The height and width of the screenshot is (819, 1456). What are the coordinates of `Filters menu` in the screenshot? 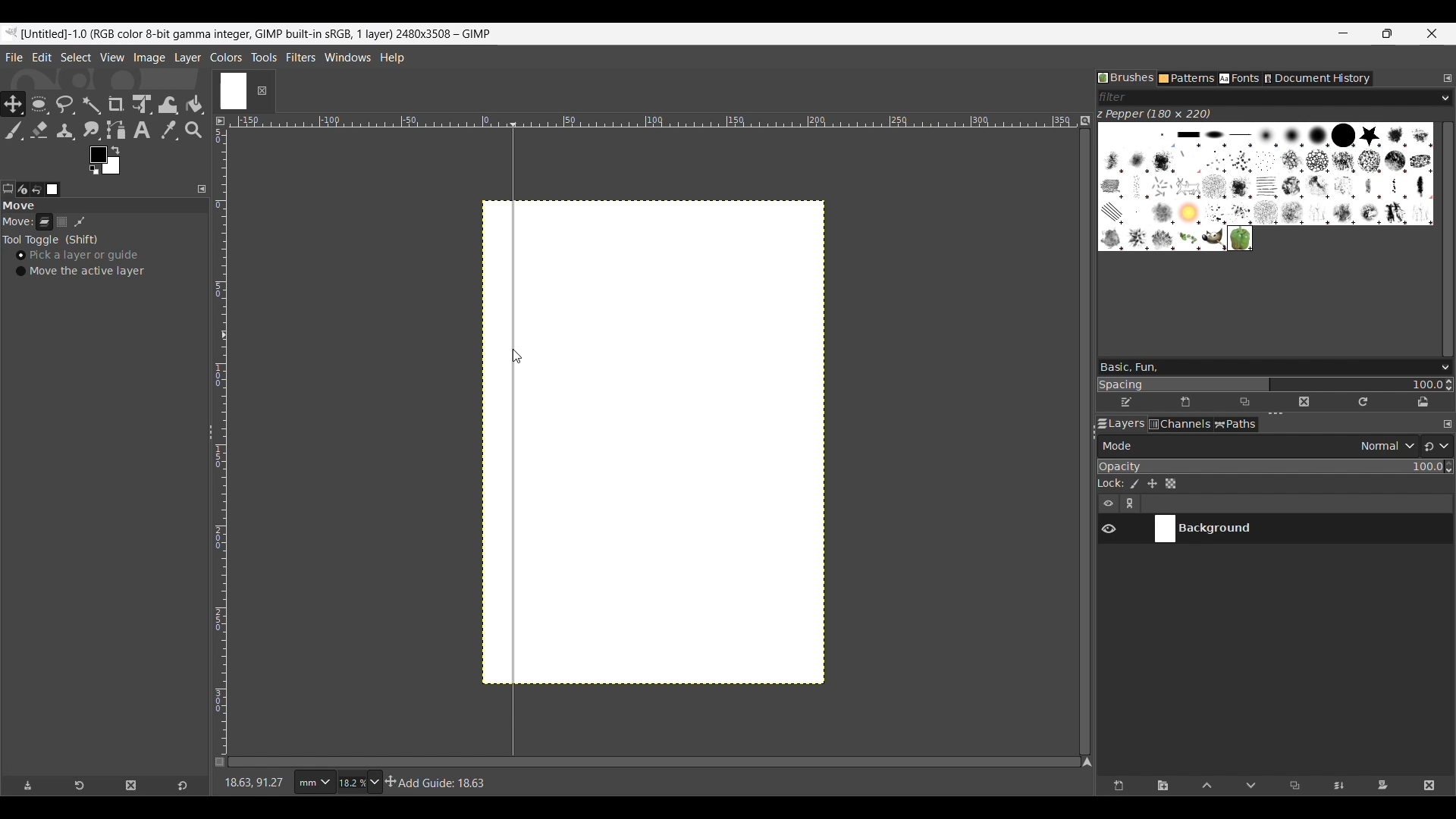 It's located at (300, 57).